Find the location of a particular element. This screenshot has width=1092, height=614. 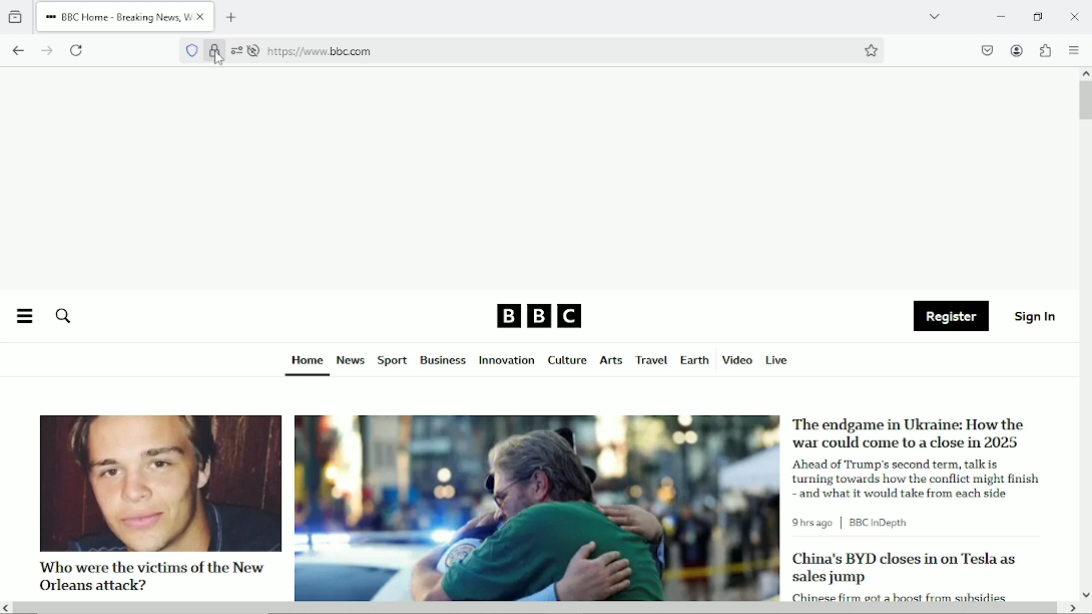

image is located at coordinates (538, 509).